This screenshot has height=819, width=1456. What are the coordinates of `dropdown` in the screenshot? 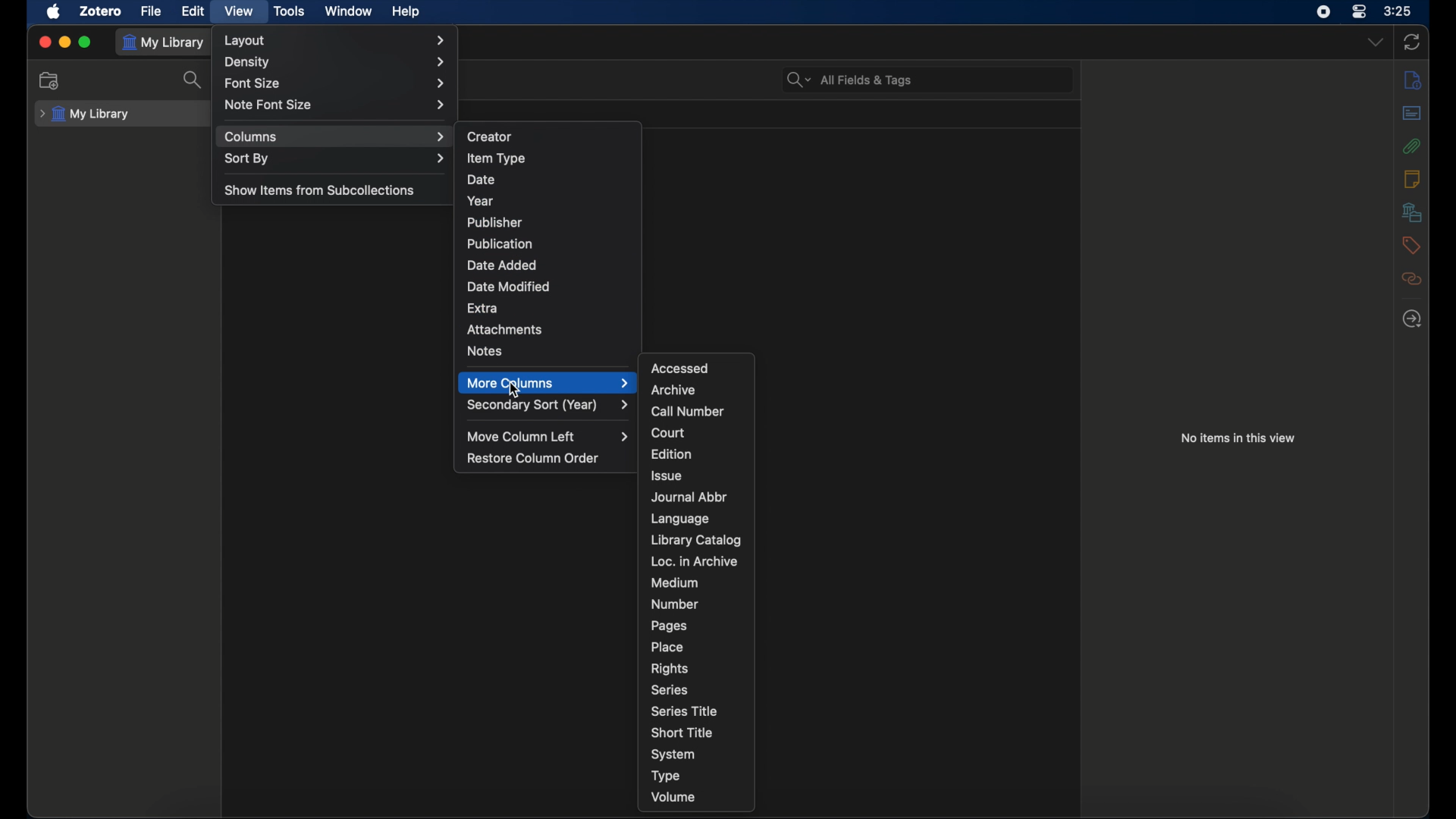 It's located at (1376, 42).